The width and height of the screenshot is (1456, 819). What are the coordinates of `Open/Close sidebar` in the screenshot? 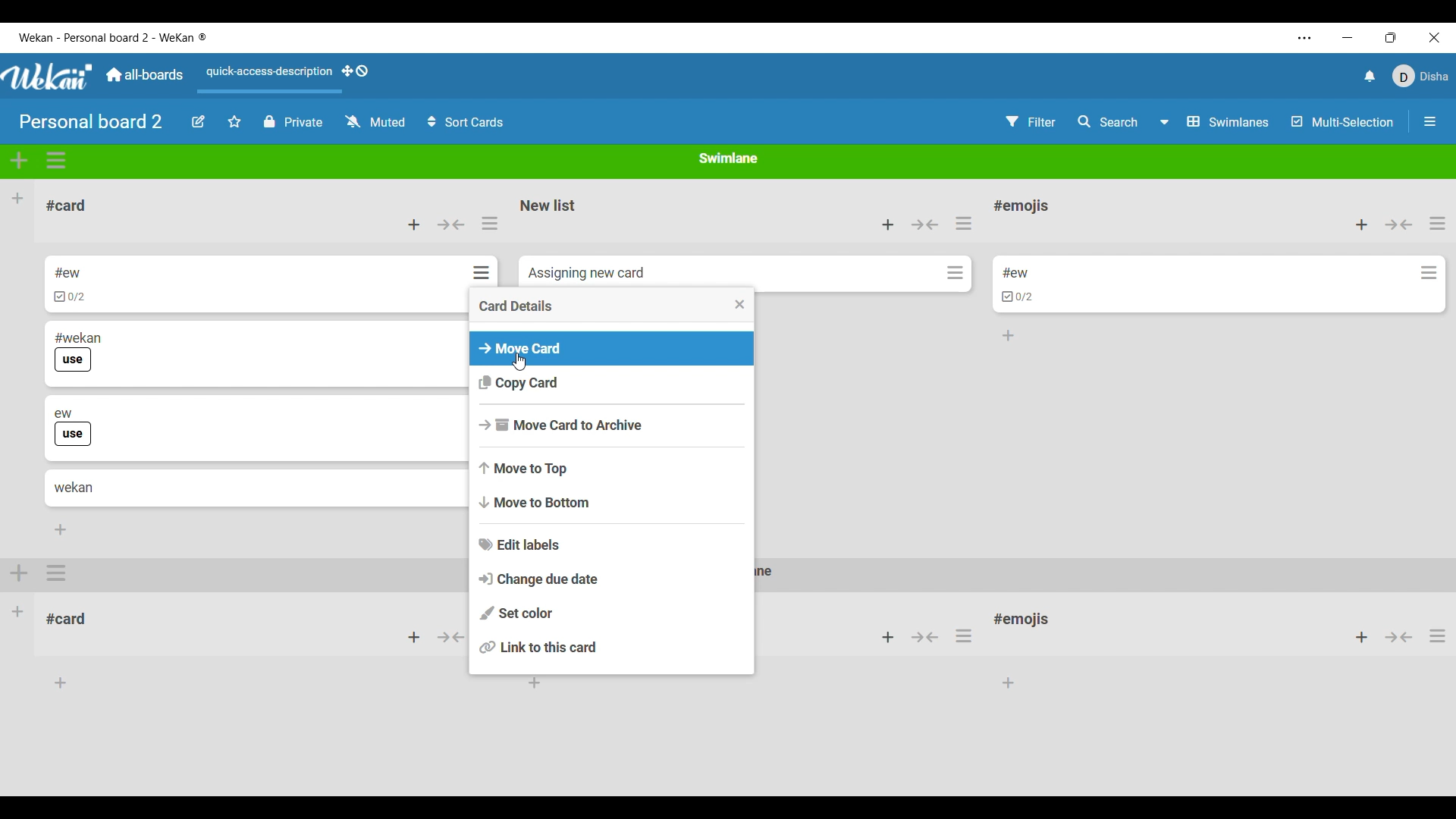 It's located at (1430, 121).